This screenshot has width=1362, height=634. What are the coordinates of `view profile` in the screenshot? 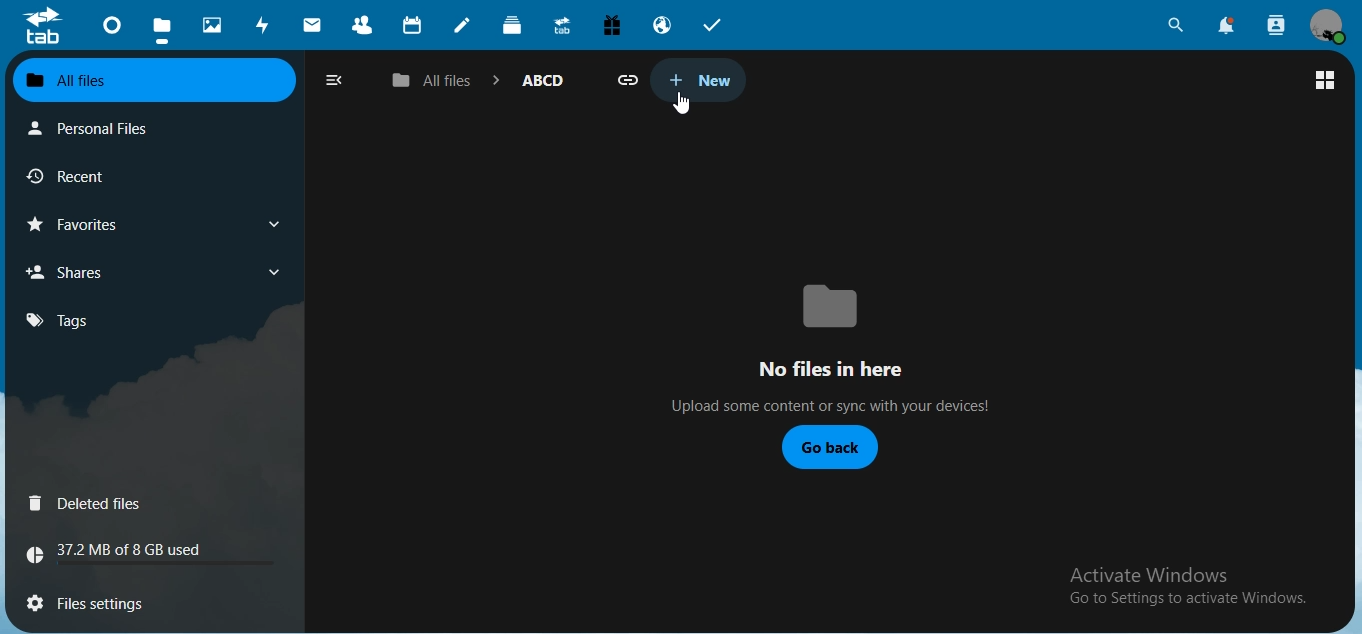 It's located at (1327, 26).